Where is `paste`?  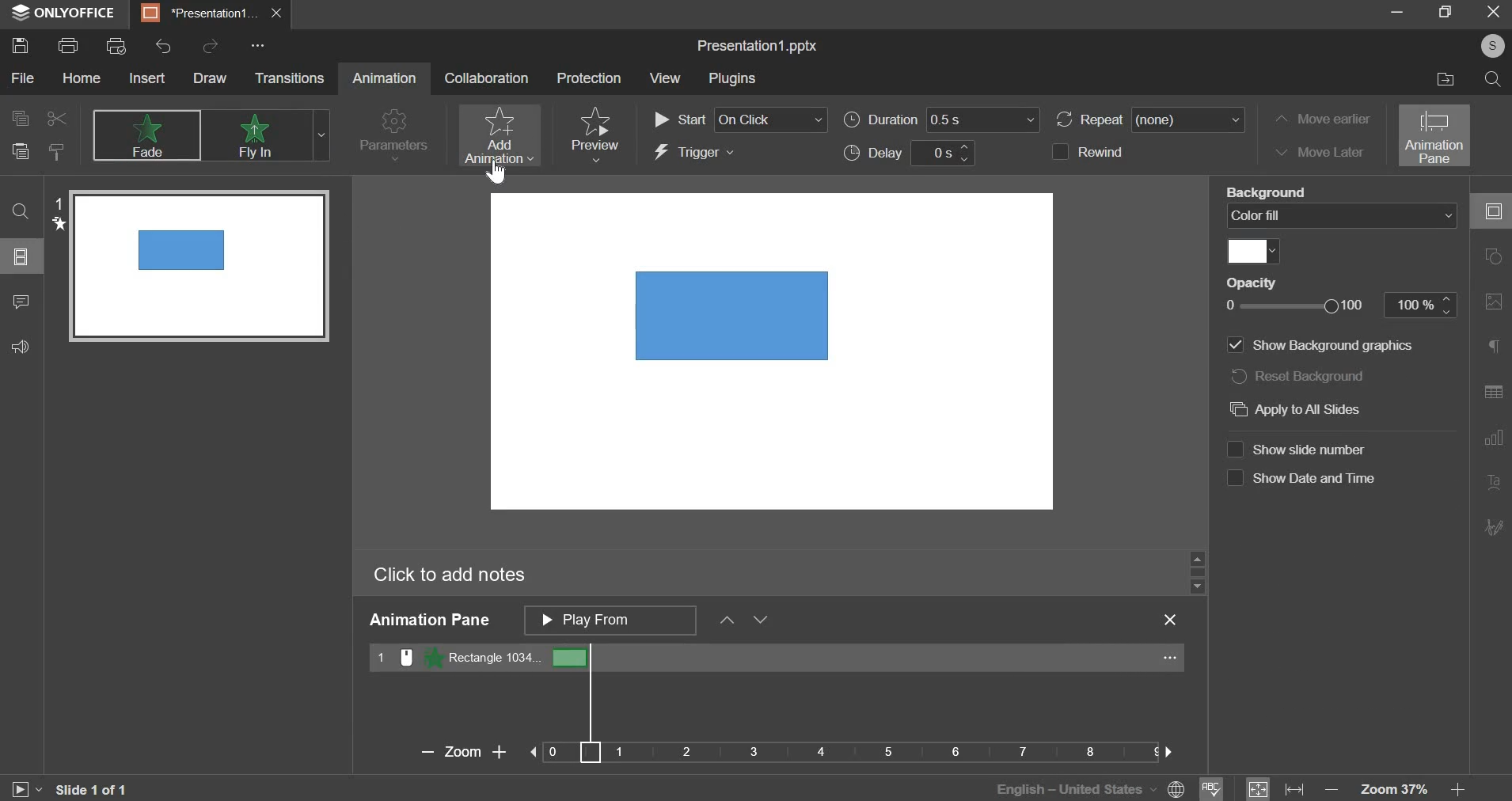
paste is located at coordinates (21, 152).